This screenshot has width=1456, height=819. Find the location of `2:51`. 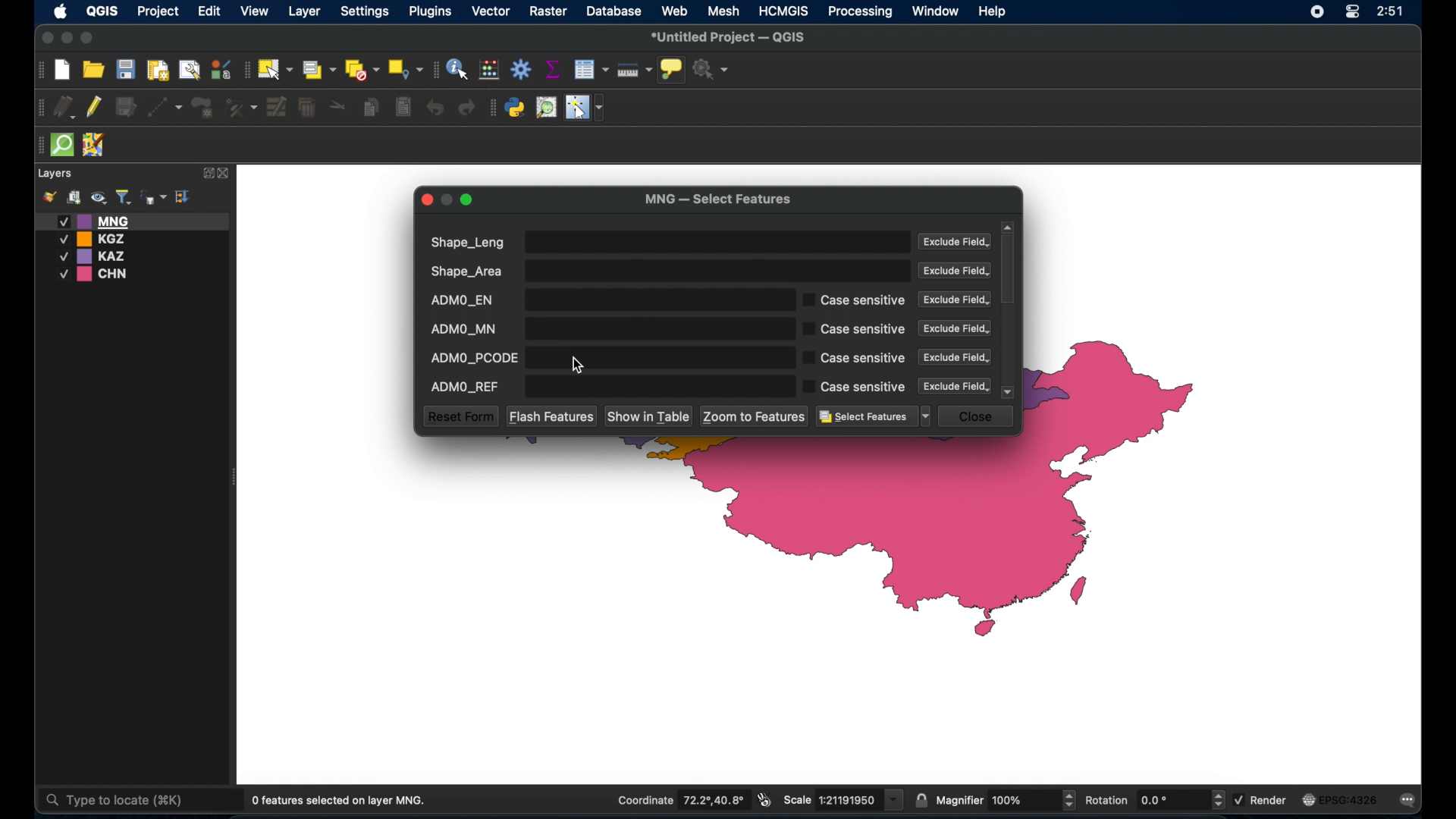

2:51 is located at coordinates (1389, 12).